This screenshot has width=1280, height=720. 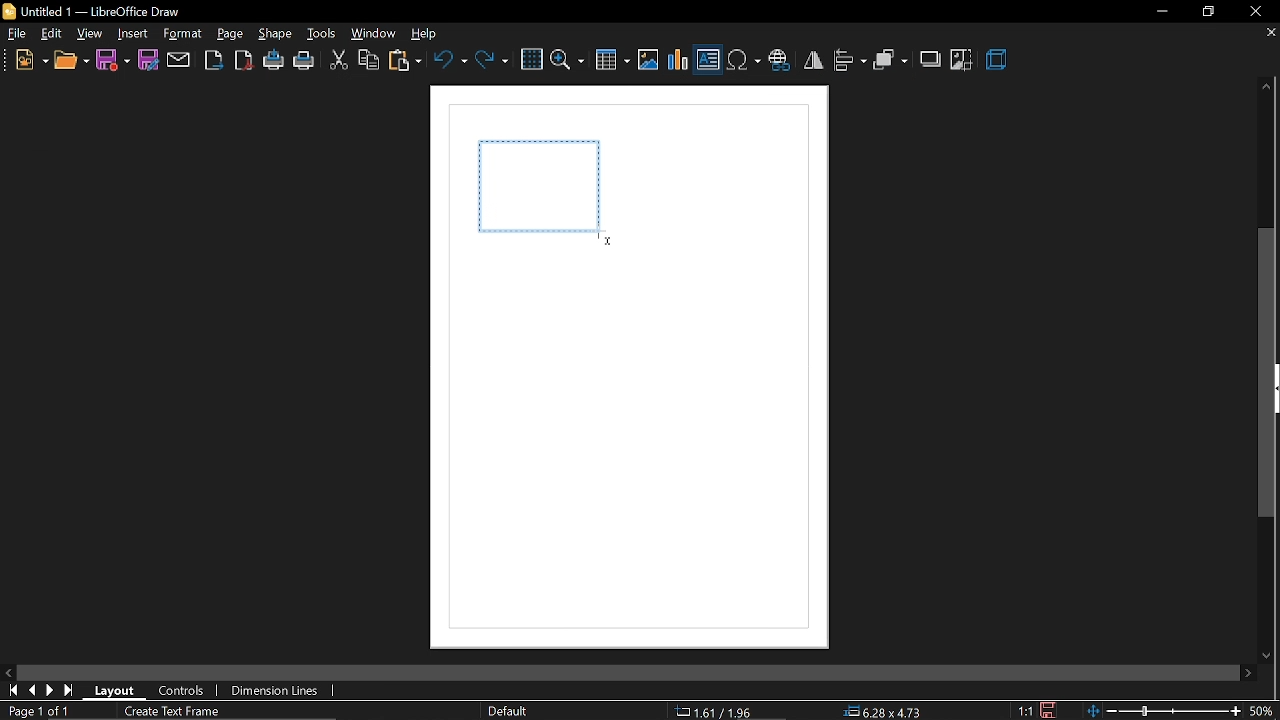 What do you see at coordinates (1026, 711) in the screenshot?
I see `scaling factor` at bounding box center [1026, 711].